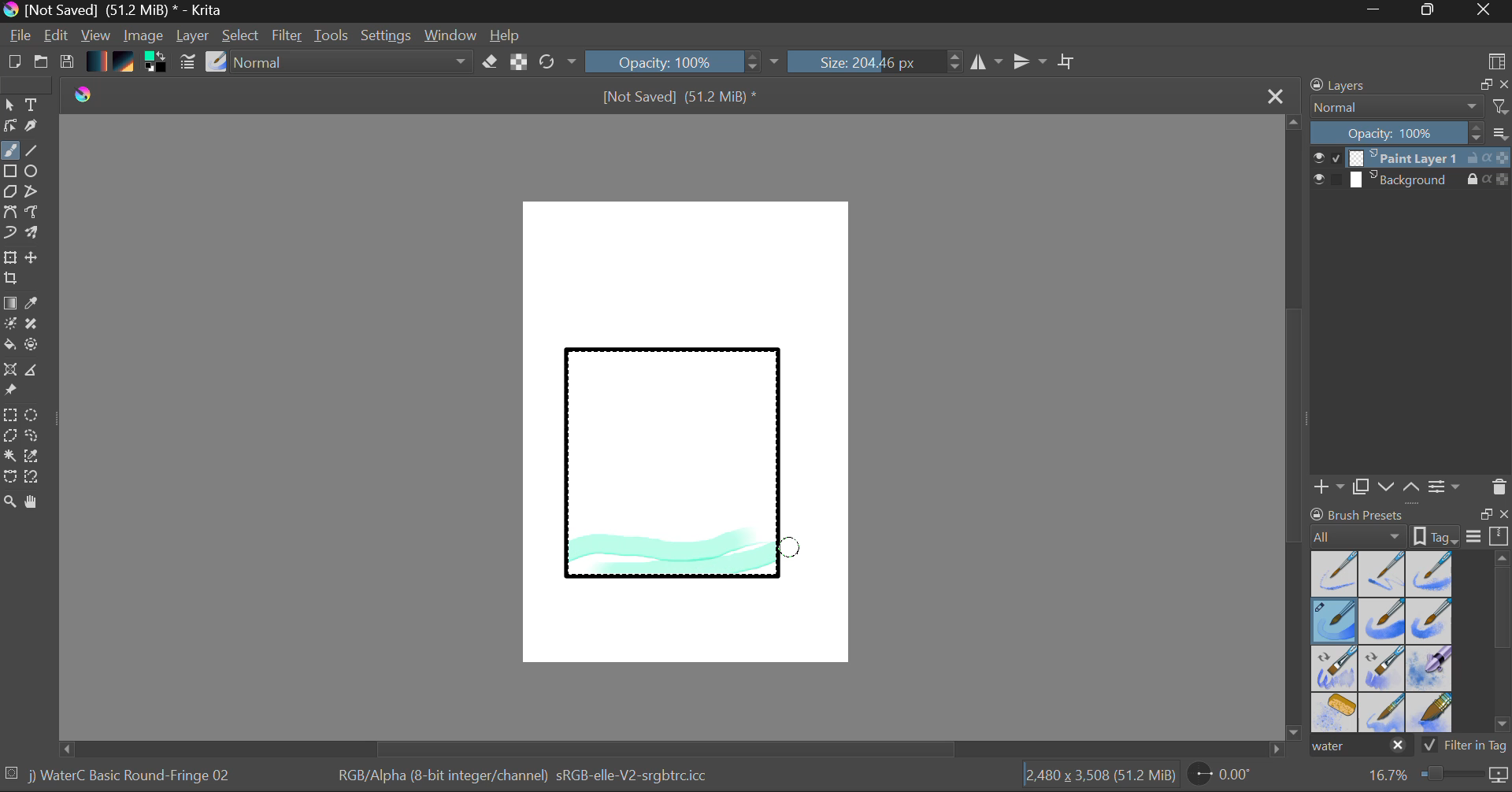  I want to click on Crop, so click(13, 279).